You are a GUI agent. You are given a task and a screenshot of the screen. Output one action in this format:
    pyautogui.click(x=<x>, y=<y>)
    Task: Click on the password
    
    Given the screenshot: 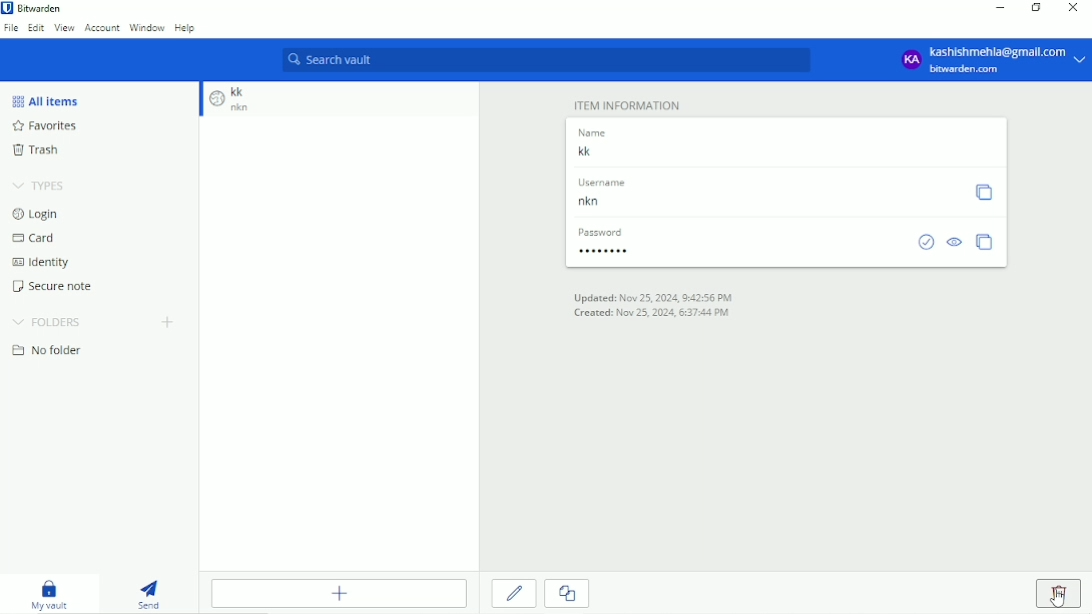 What is the action you would take?
    pyautogui.click(x=597, y=231)
    